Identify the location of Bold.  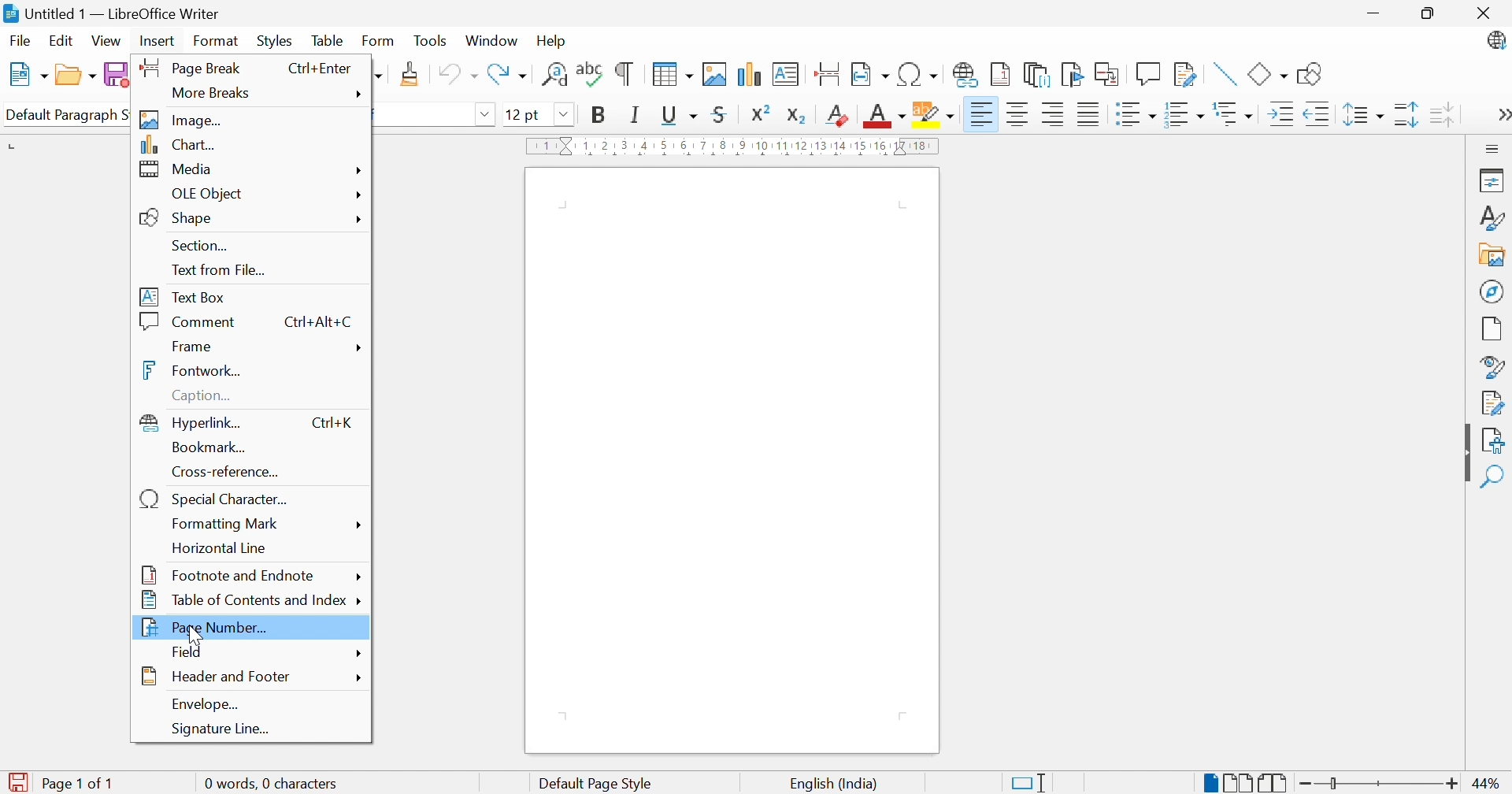
(601, 116).